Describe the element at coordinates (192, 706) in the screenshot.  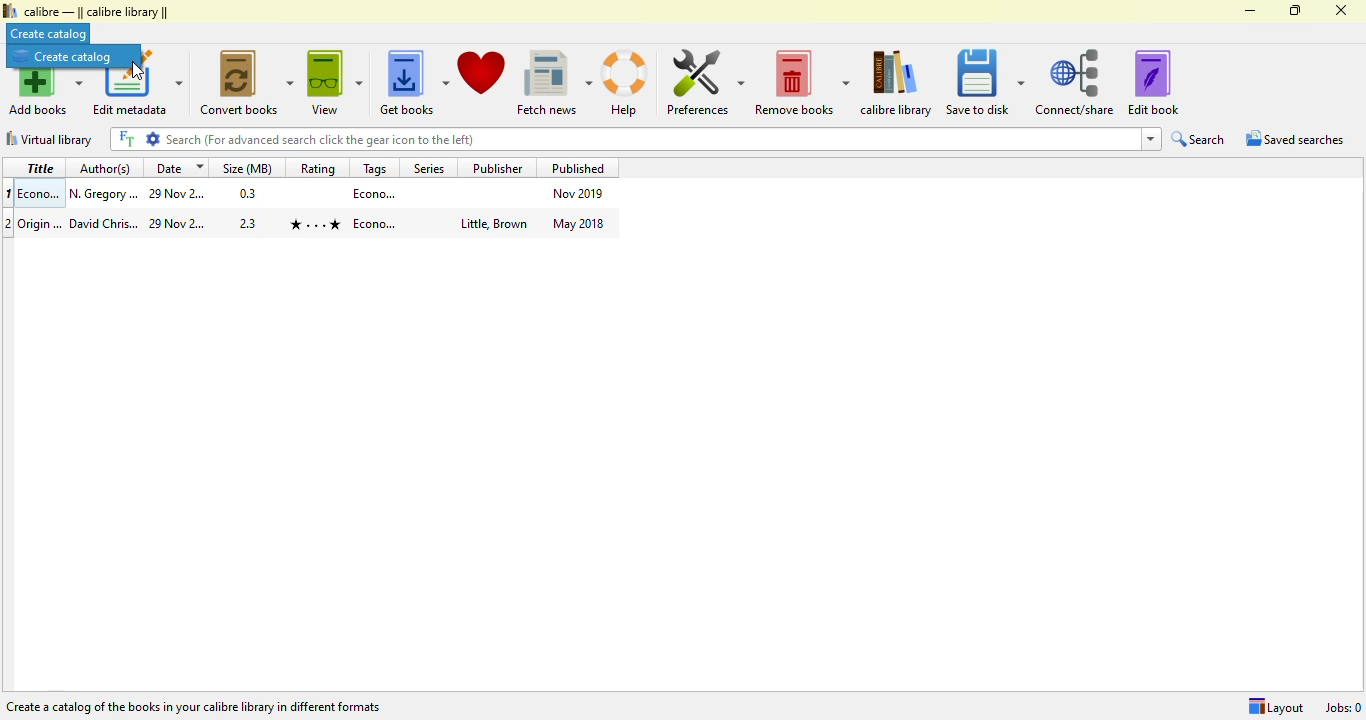
I see `create a catalog of the books in your calibre library in different formats` at that location.